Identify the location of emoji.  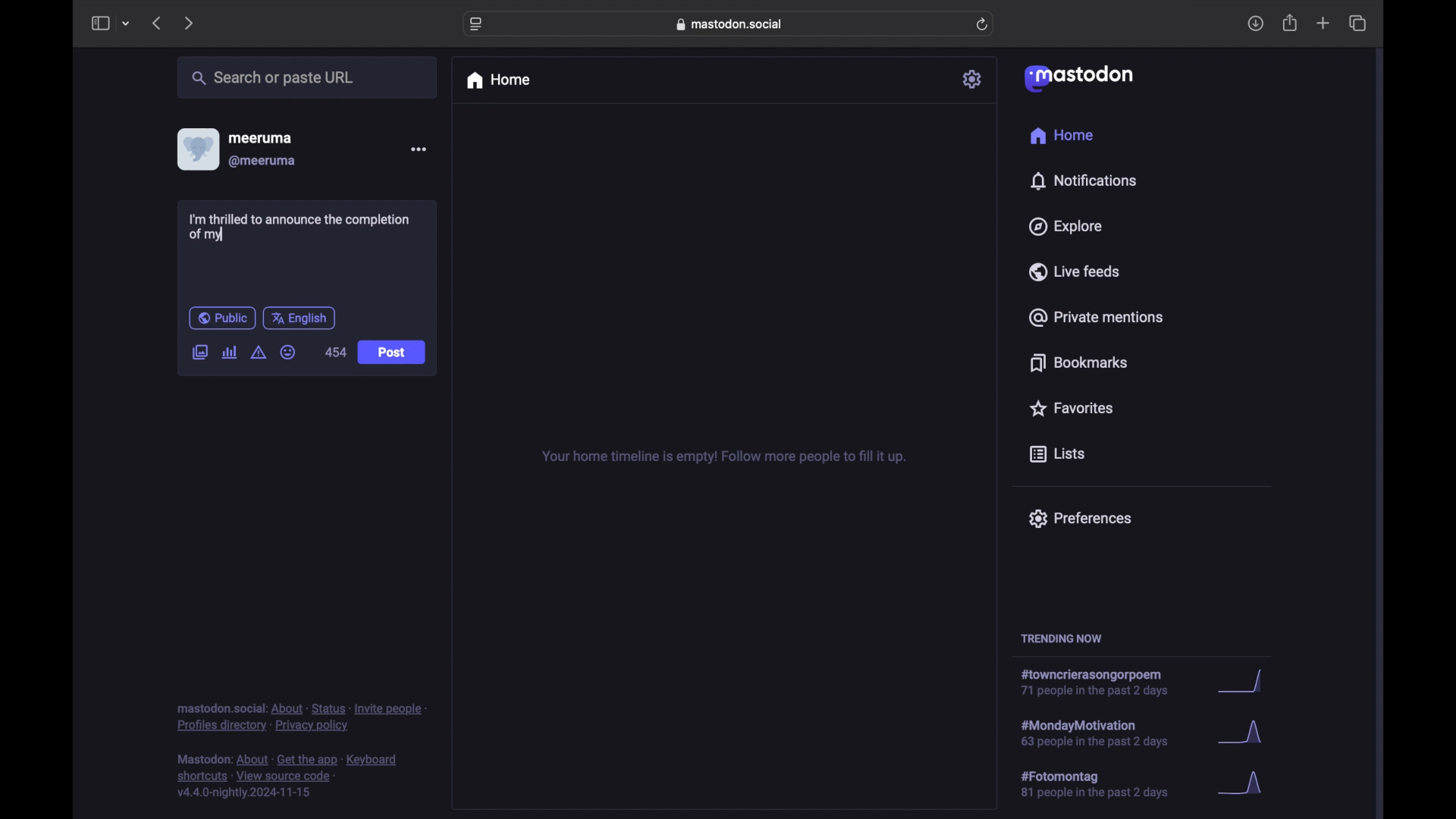
(288, 352).